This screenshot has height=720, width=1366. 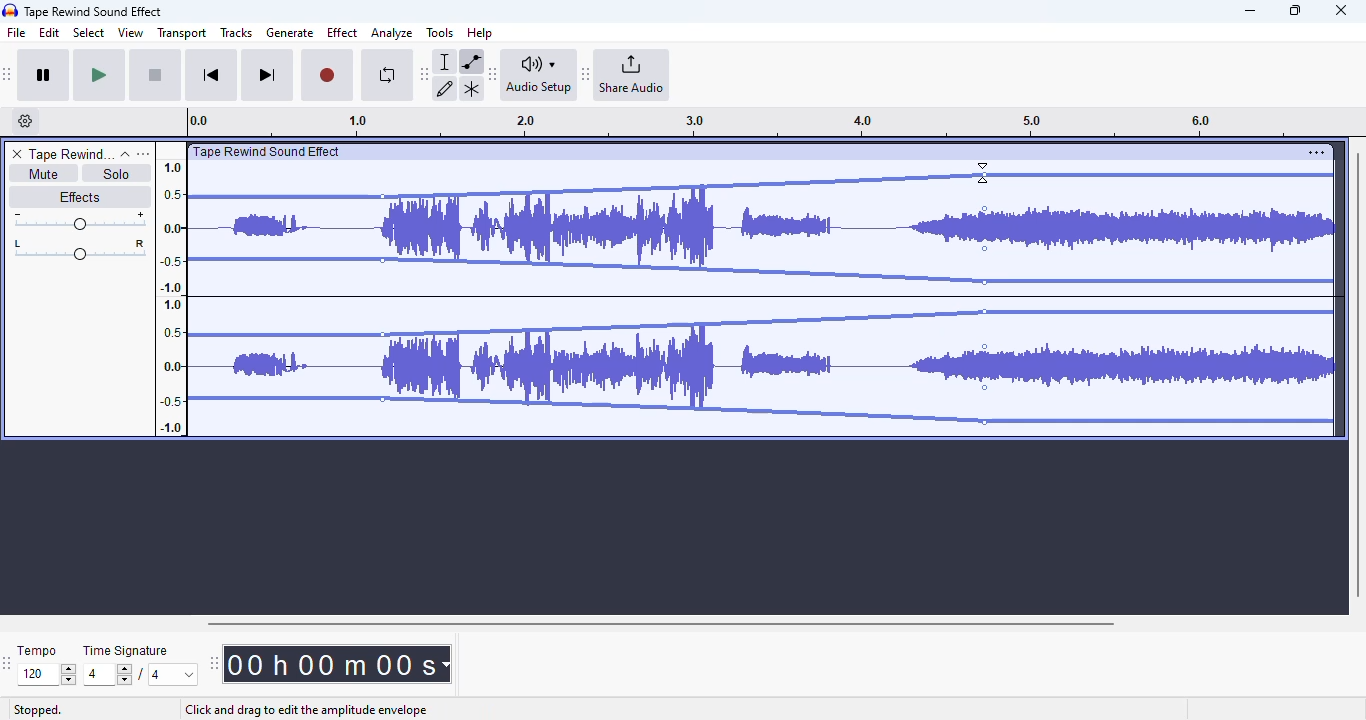 I want to click on Move audacity share audio toolbar, so click(x=586, y=75).